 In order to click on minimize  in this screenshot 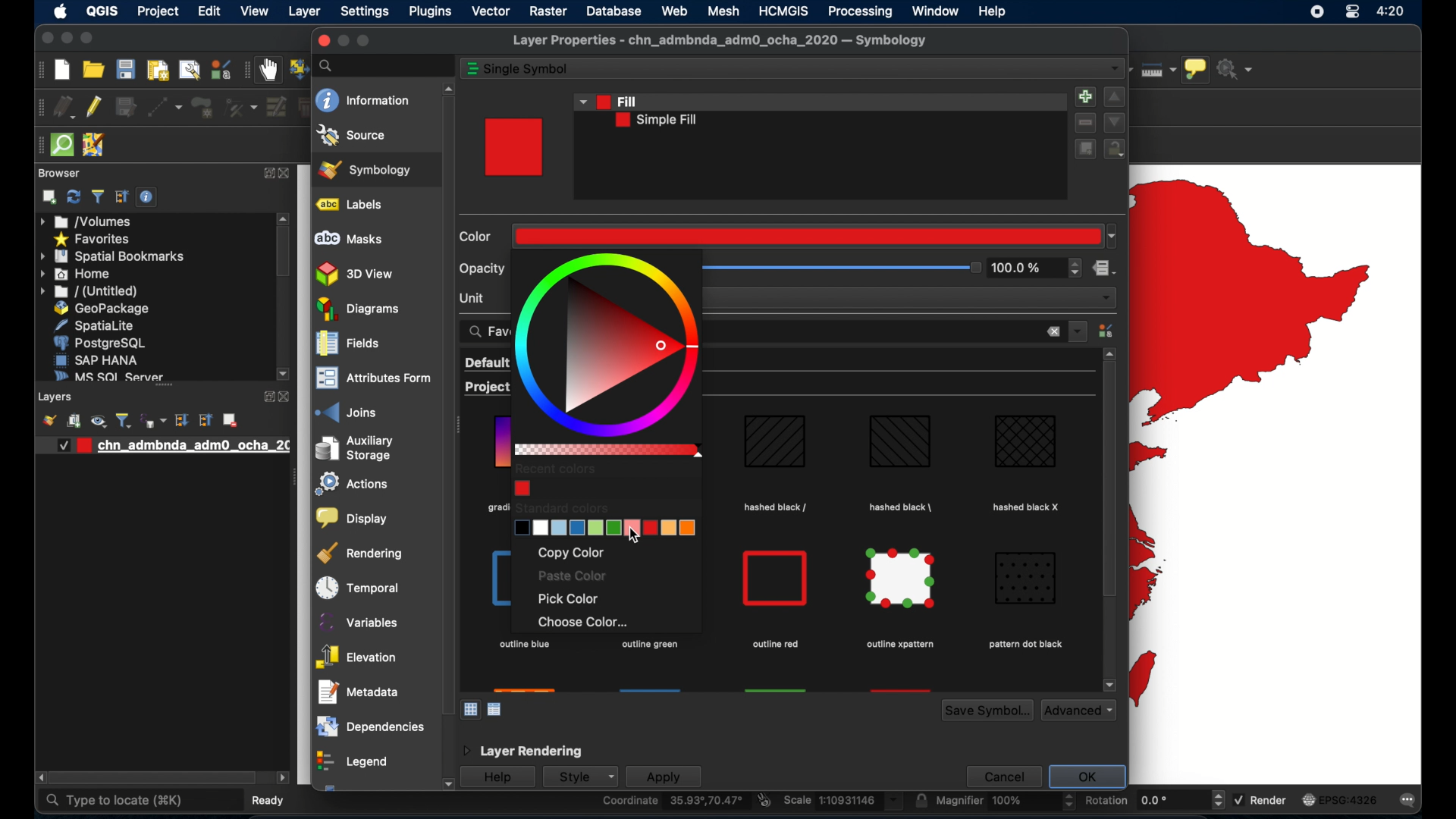, I will do `click(65, 39)`.